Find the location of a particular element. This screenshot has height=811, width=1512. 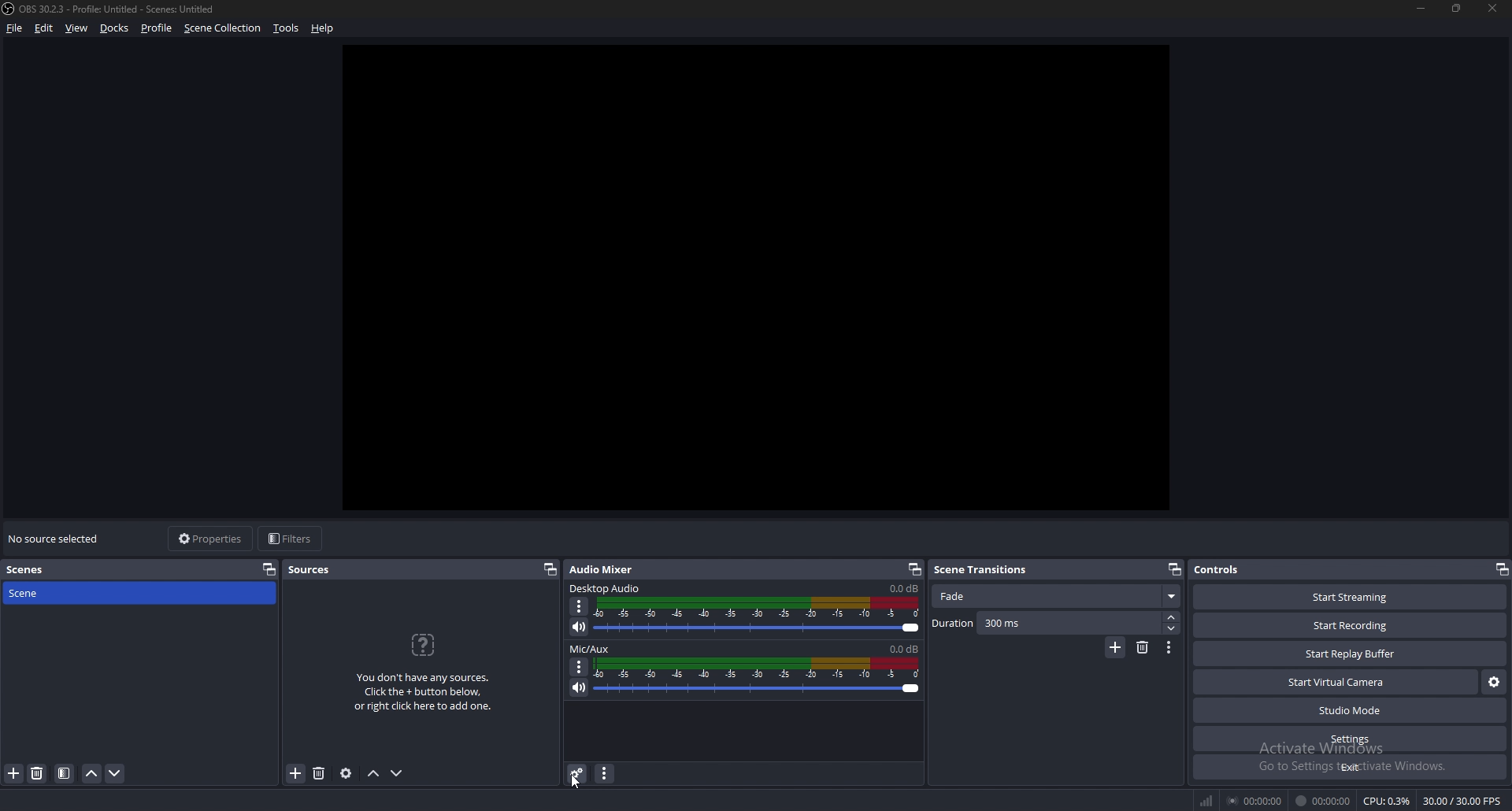

start replay buffer is located at coordinates (1351, 654).